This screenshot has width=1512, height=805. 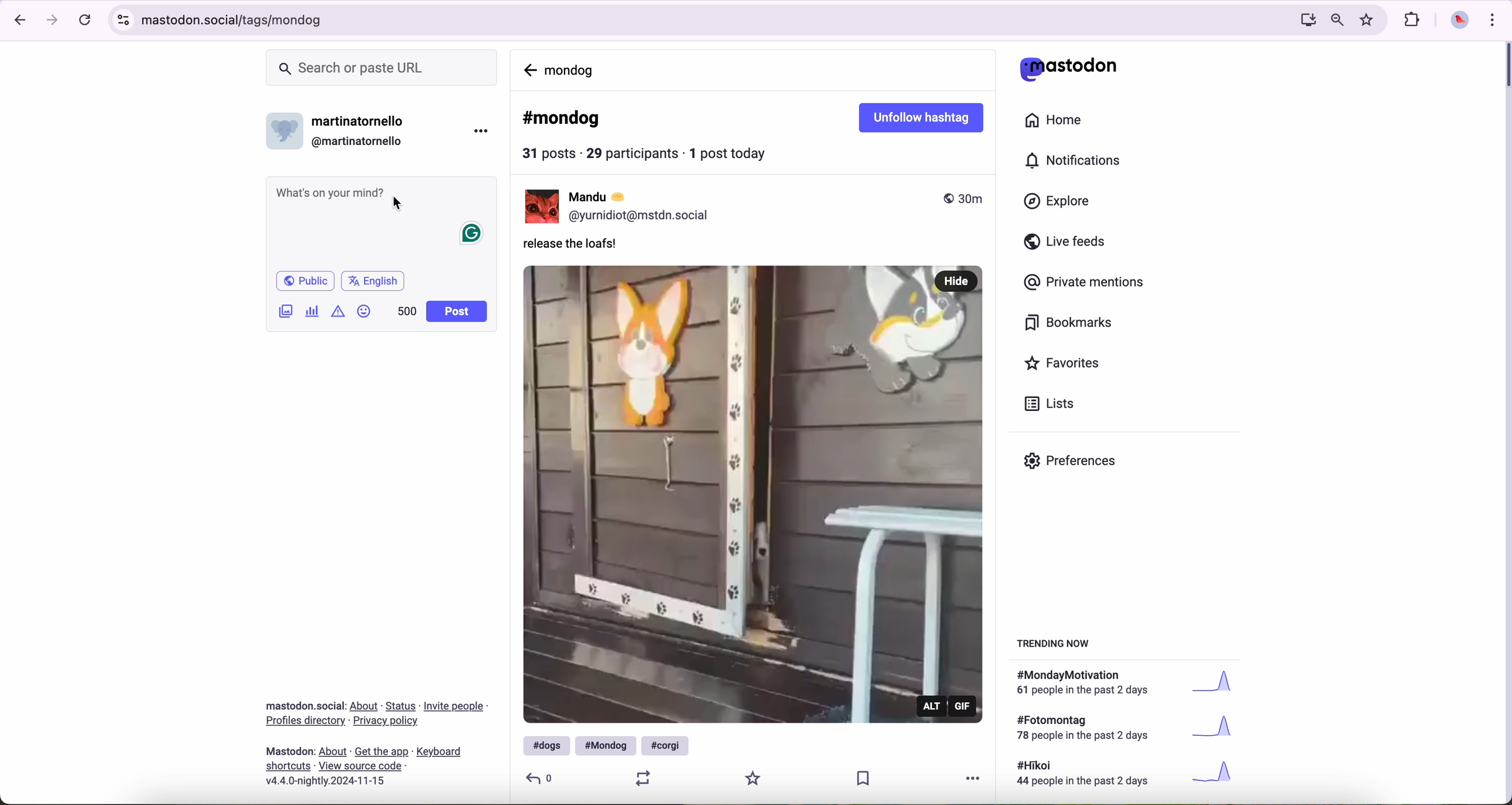 What do you see at coordinates (667, 745) in the screenshot?
I see `#corgi` at bounding box center [667, 745].